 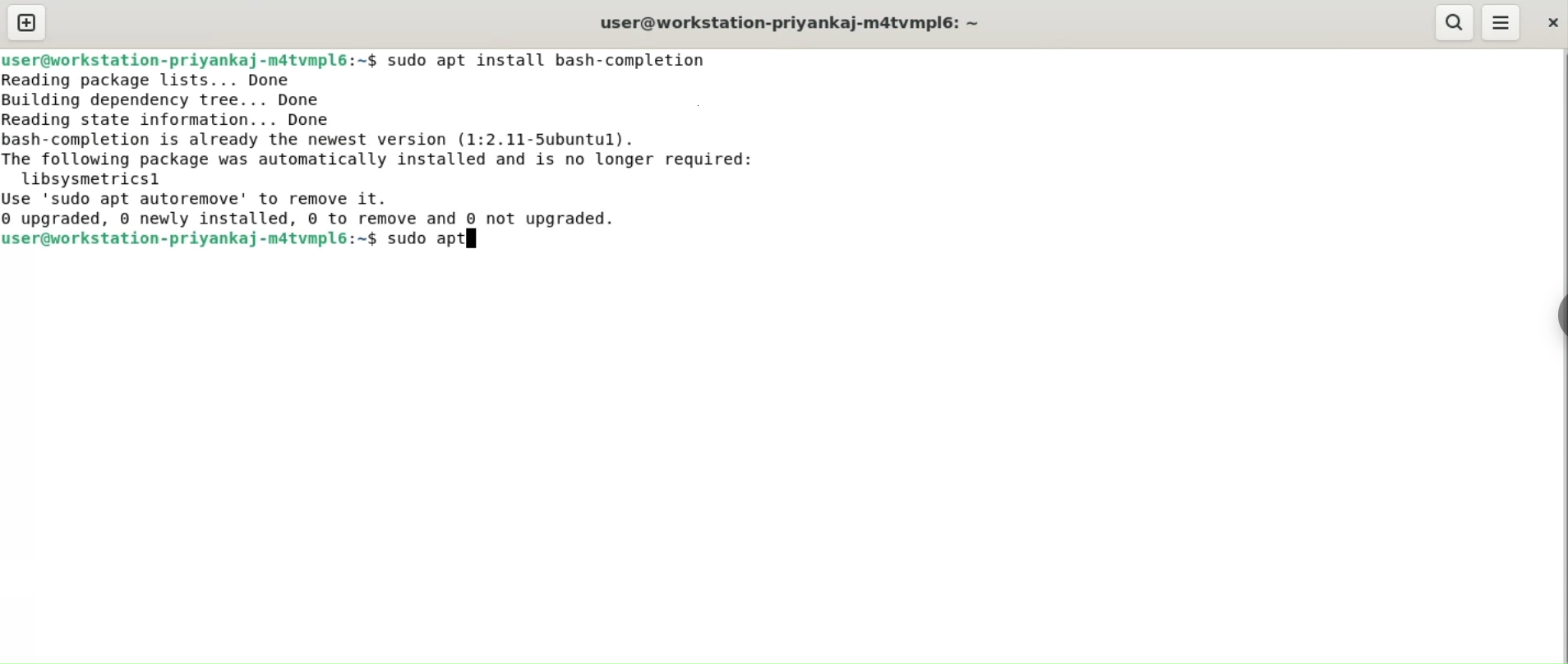 What do you see at coordinates (1502, 22) in the screenshot?
I see `menu` at bounding box center [1502, 22].